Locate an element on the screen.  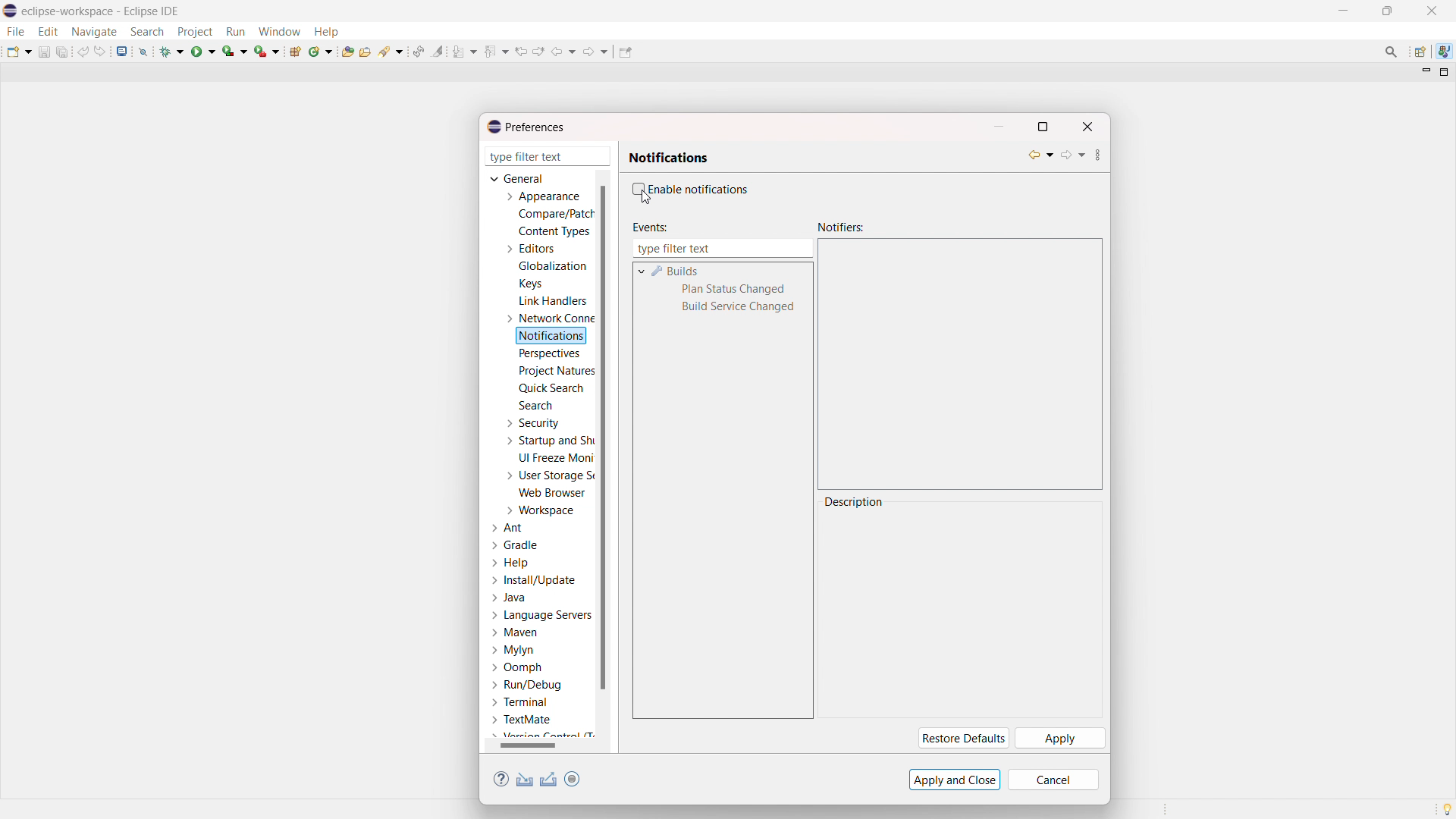
view menu is located at coordinates (1098, 157).